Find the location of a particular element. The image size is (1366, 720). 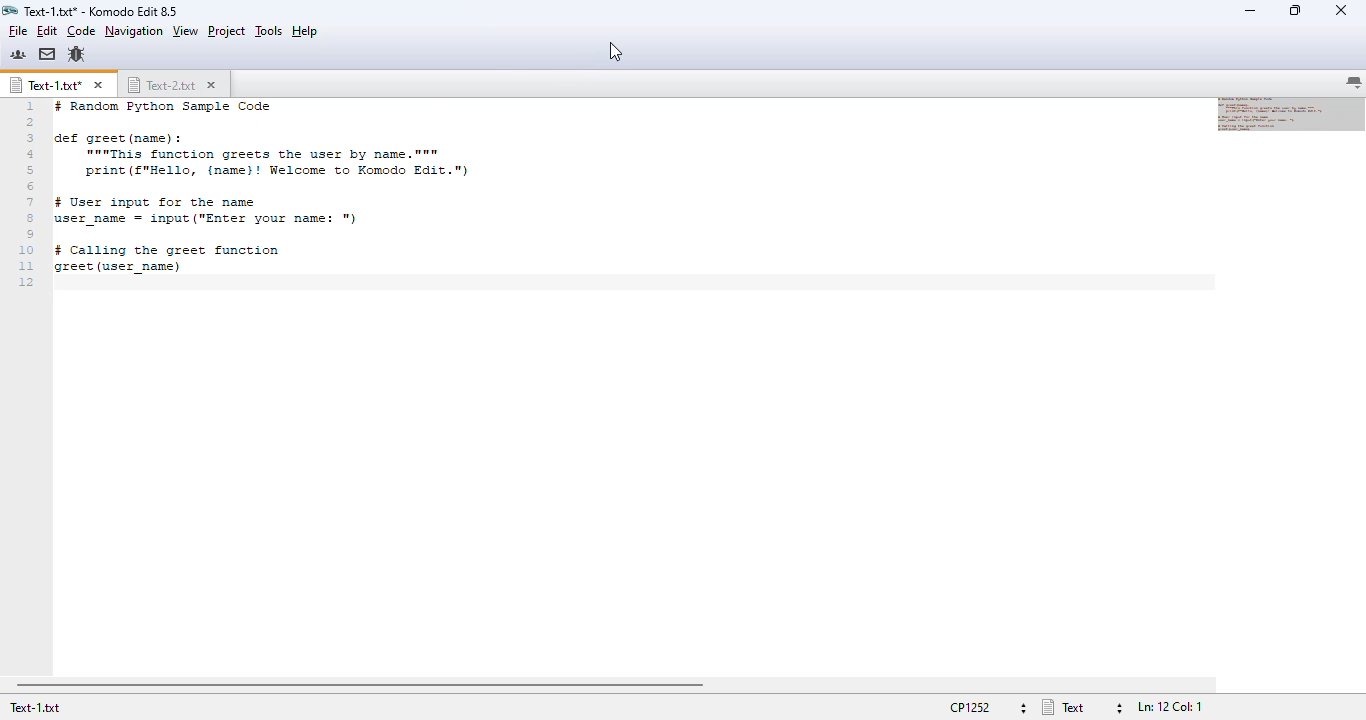

project is located at coordinates (227, 31).